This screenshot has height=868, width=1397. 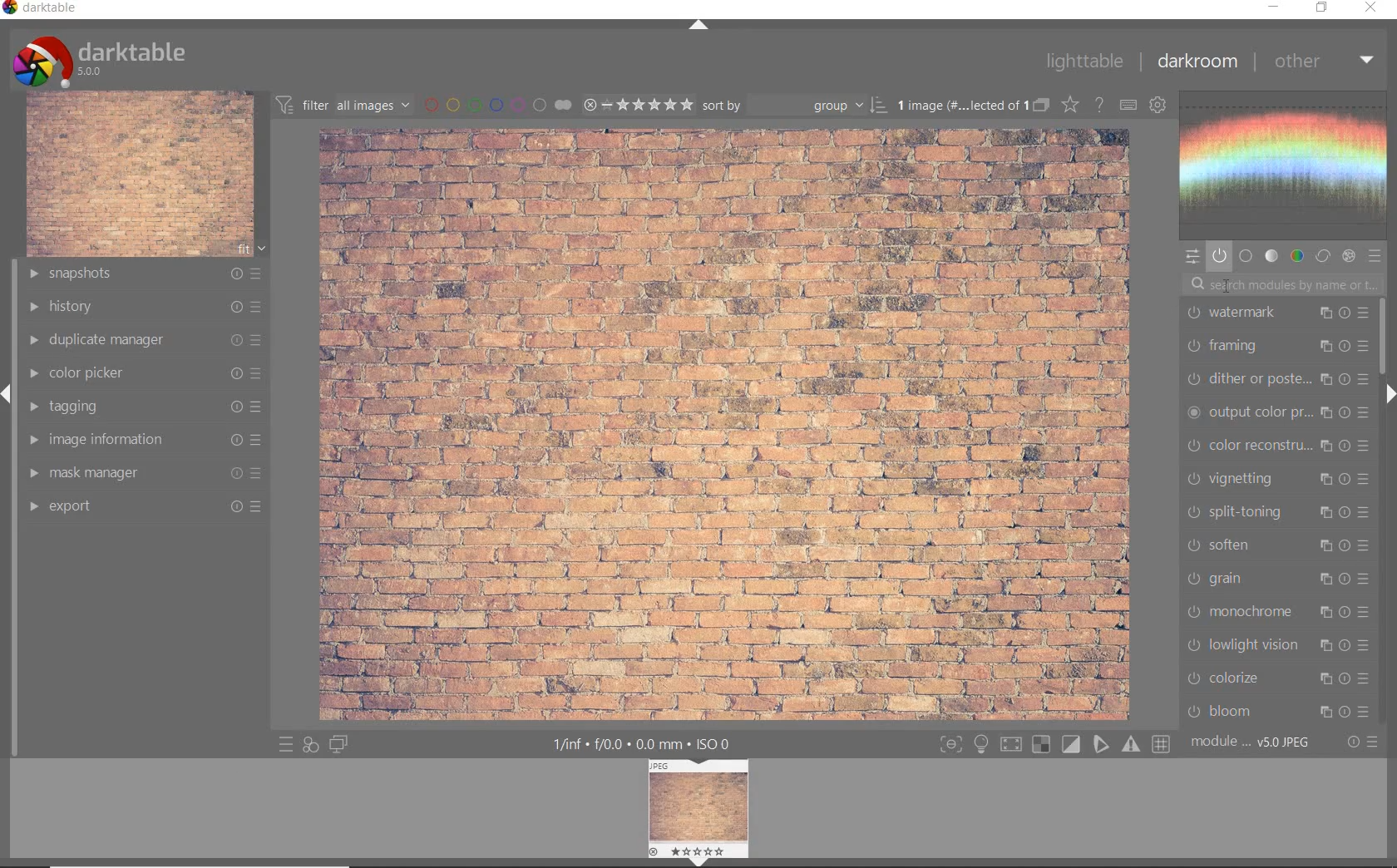 I want to click on other, so click(x=1325, y=62).